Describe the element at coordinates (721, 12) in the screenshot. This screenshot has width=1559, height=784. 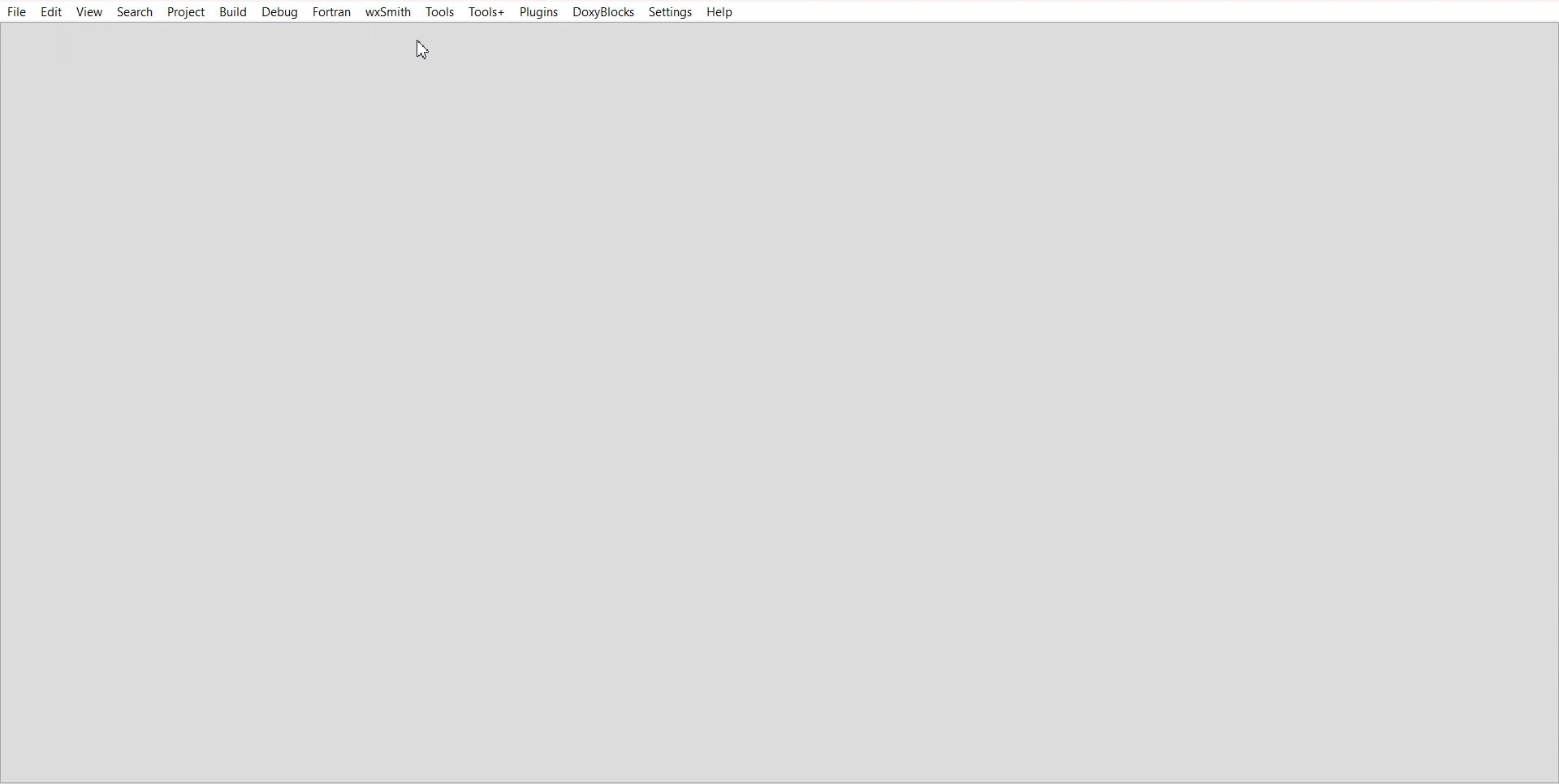
I see `Help` at that location.